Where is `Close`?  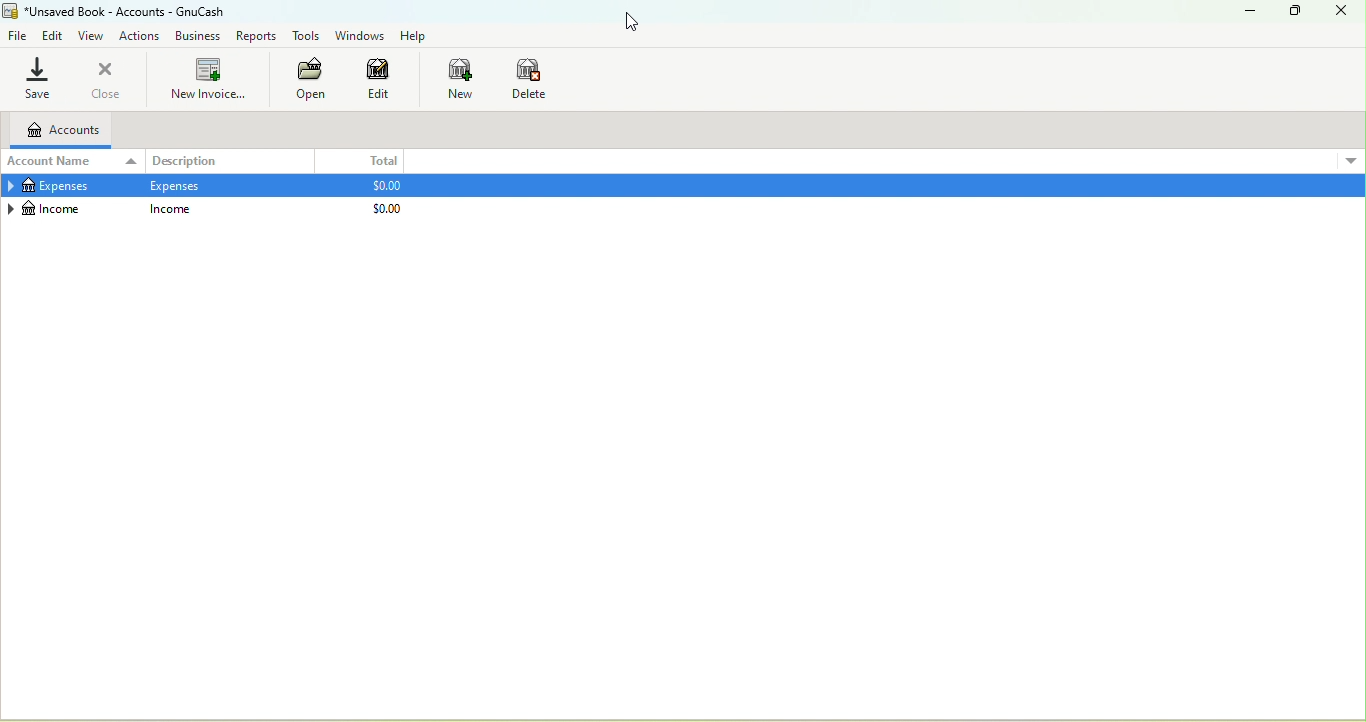
Close is located at coordinates (1343, 13).